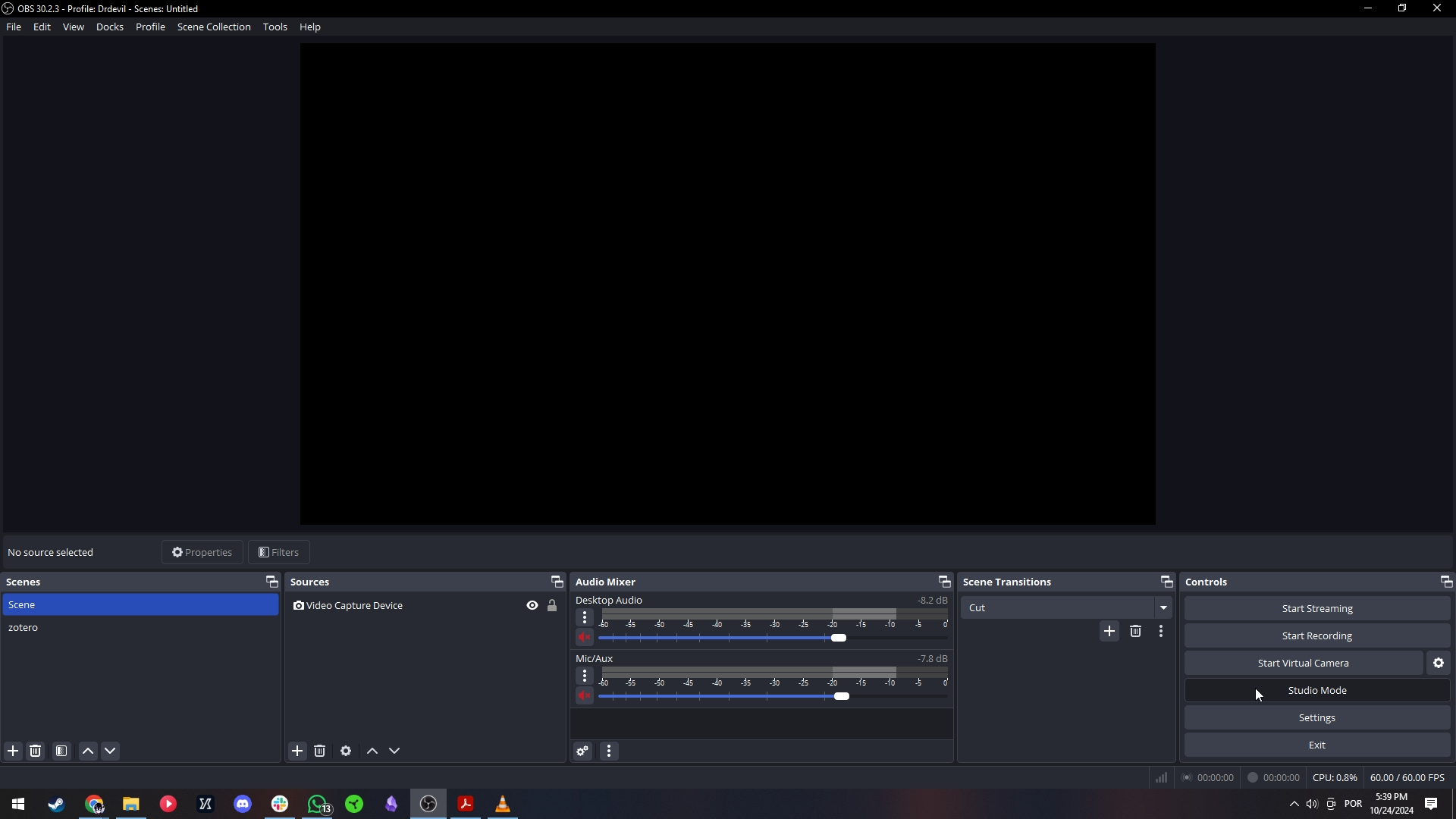 The height and width of the screenshot is (819, 1456). What do you see at coordinates (42, 27) in the screenshot?
I see `Edit` at bounding box center [42, 27].